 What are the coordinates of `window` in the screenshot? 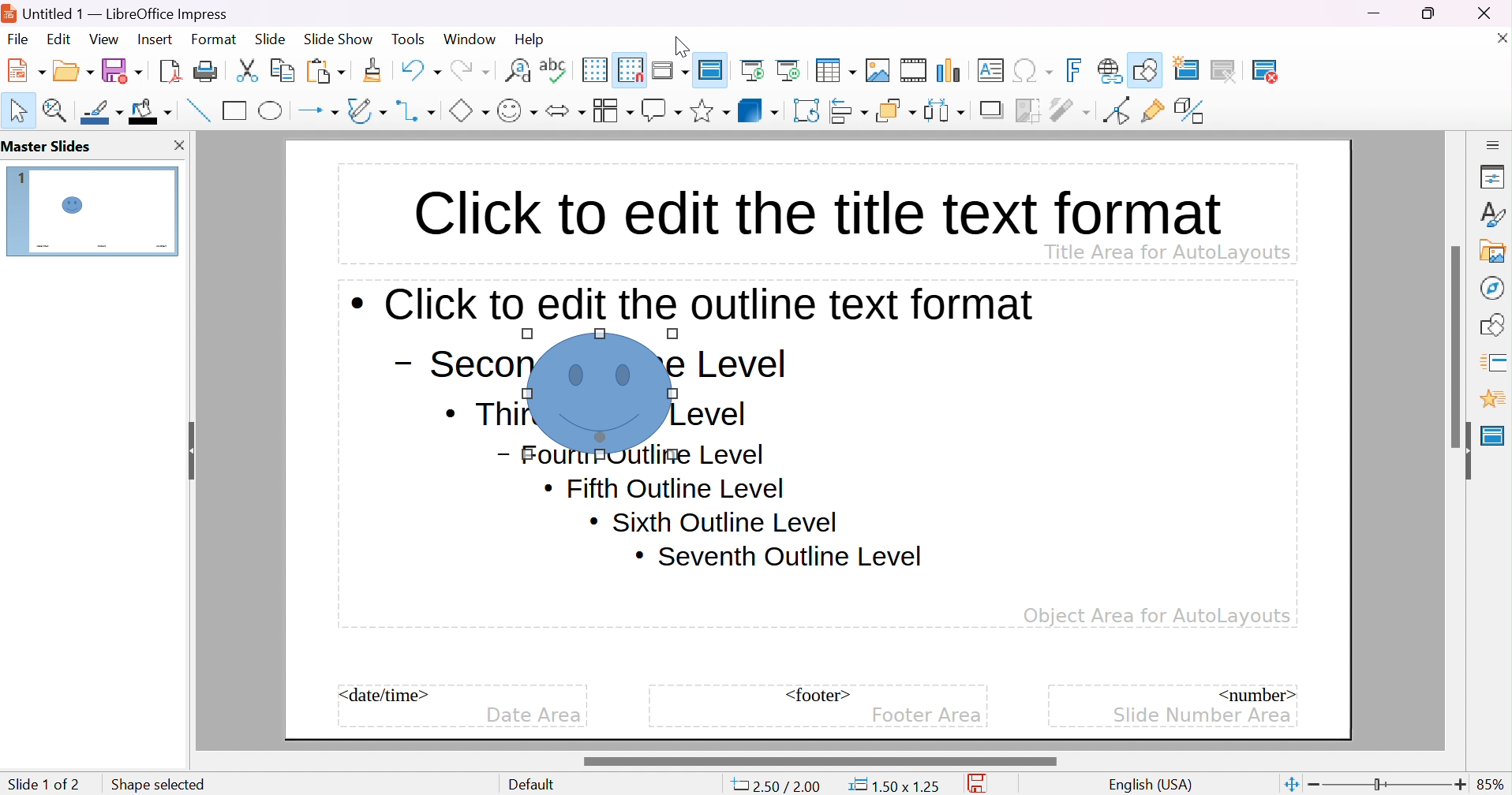 It's located at (469, 39).